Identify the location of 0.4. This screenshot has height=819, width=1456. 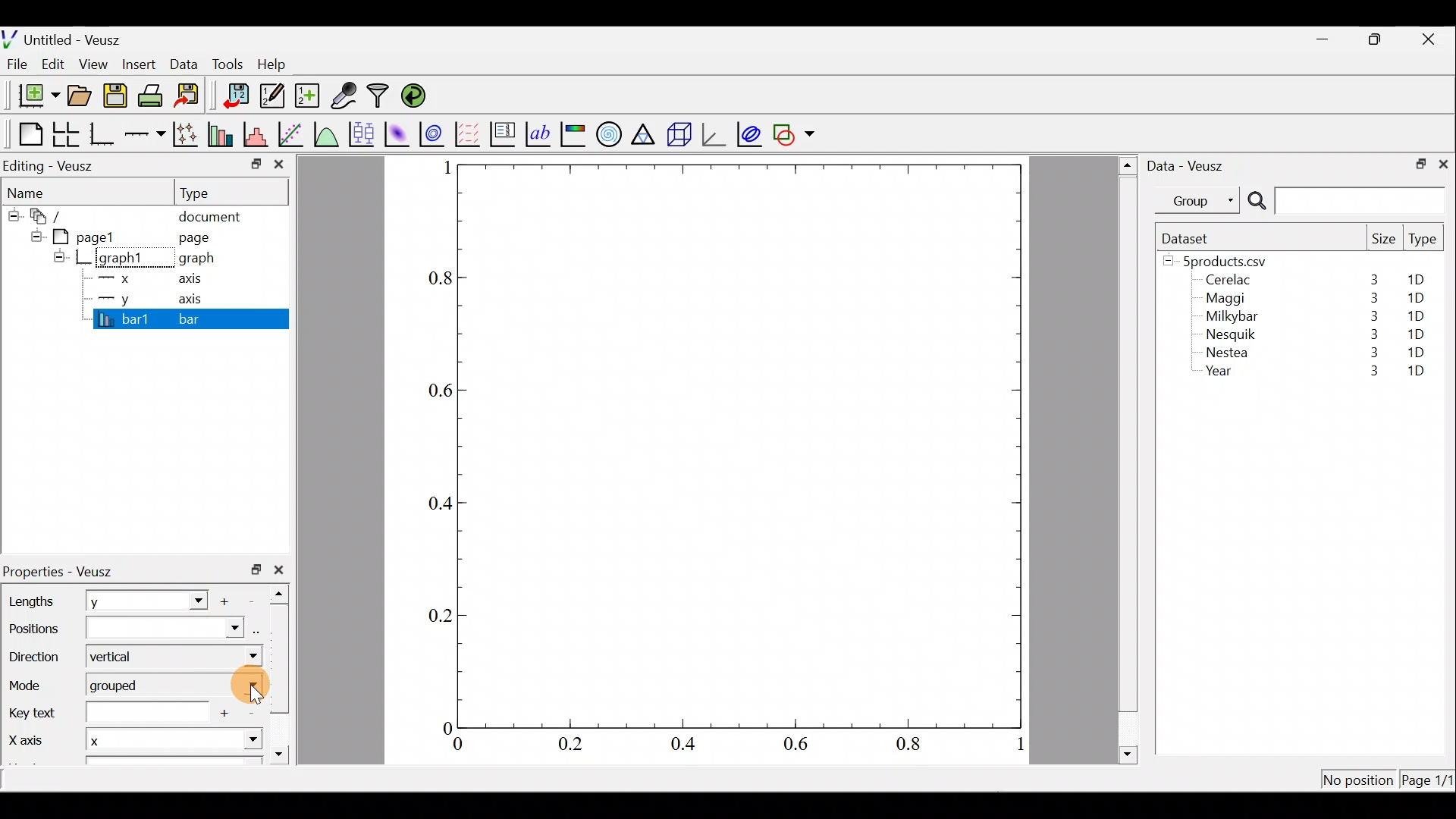
(689, 745).